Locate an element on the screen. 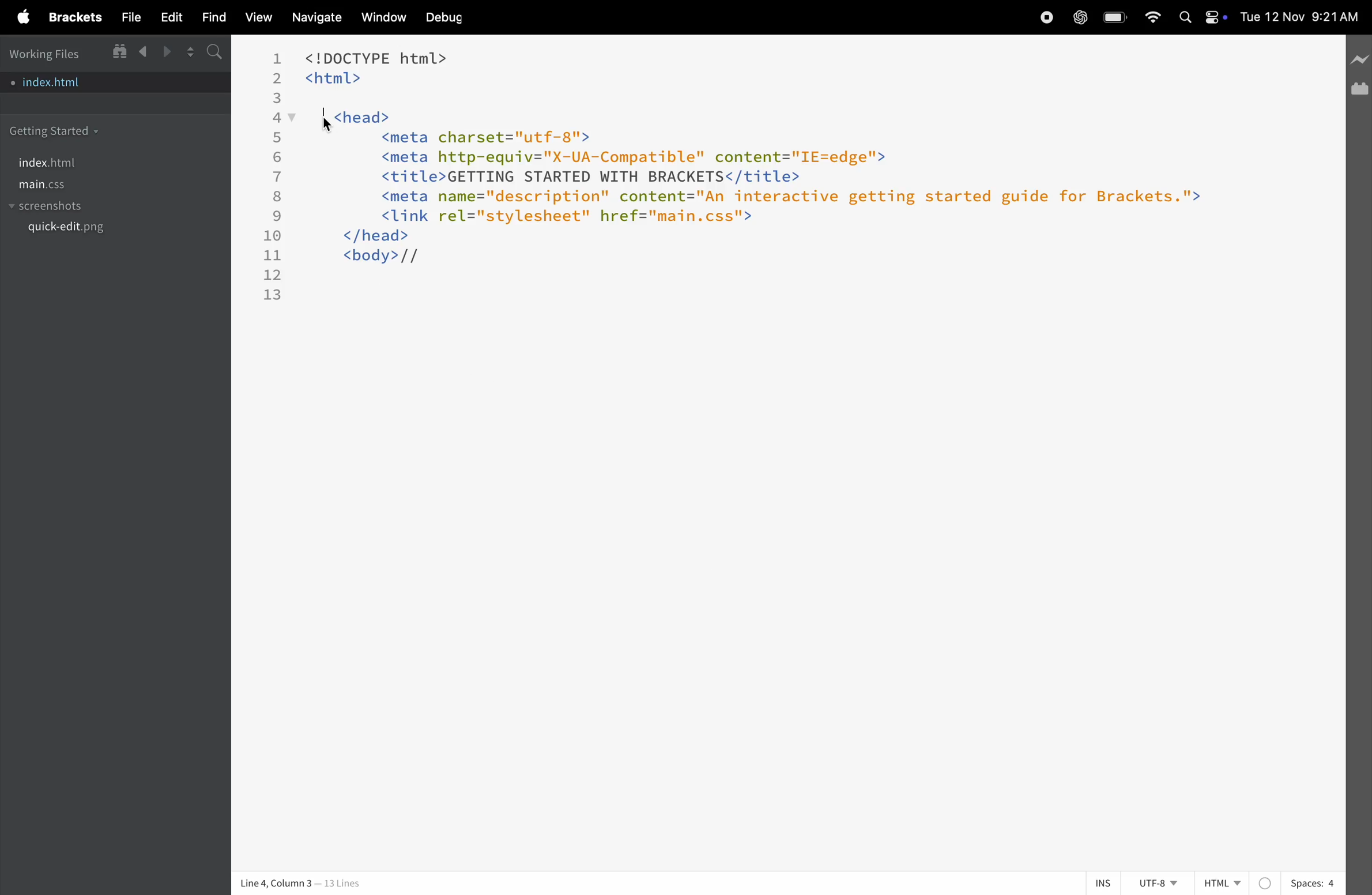  index.html is located at coordinates (91, 78).